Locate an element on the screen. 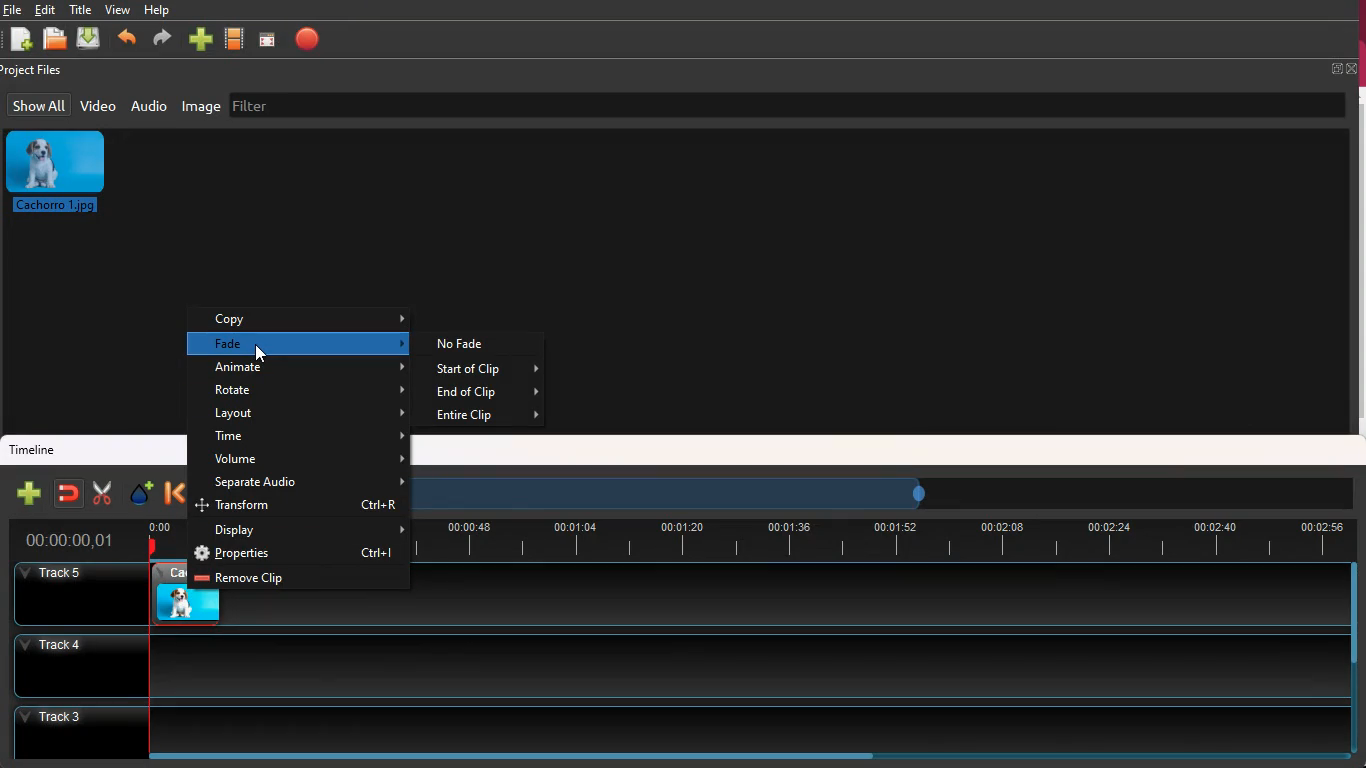 The width and height of the screenshot is (1366, 768). time is located at coordinates (309, 437).